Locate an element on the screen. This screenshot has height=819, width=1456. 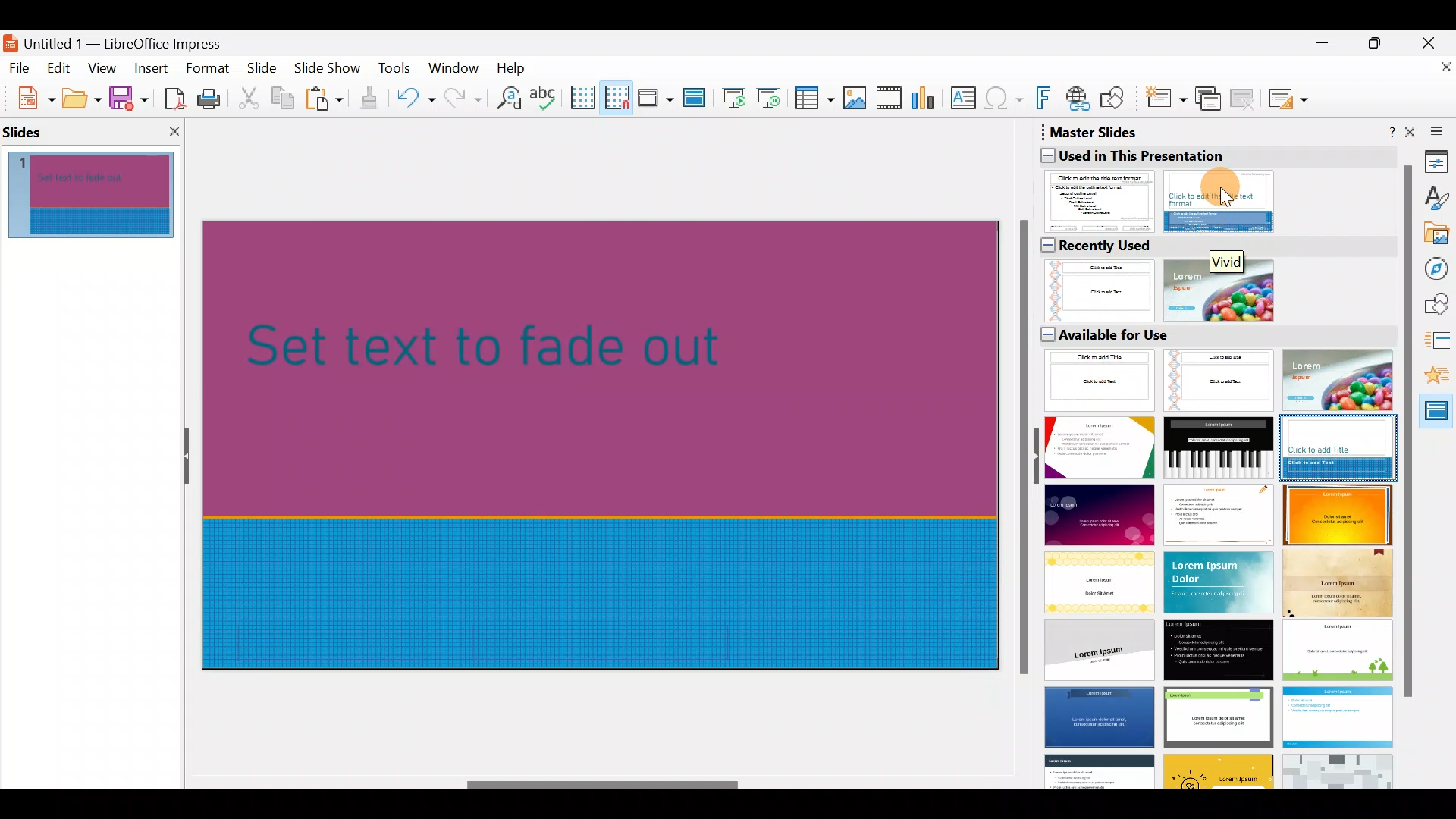
Start from first slide is located at coordinates (734, 96).